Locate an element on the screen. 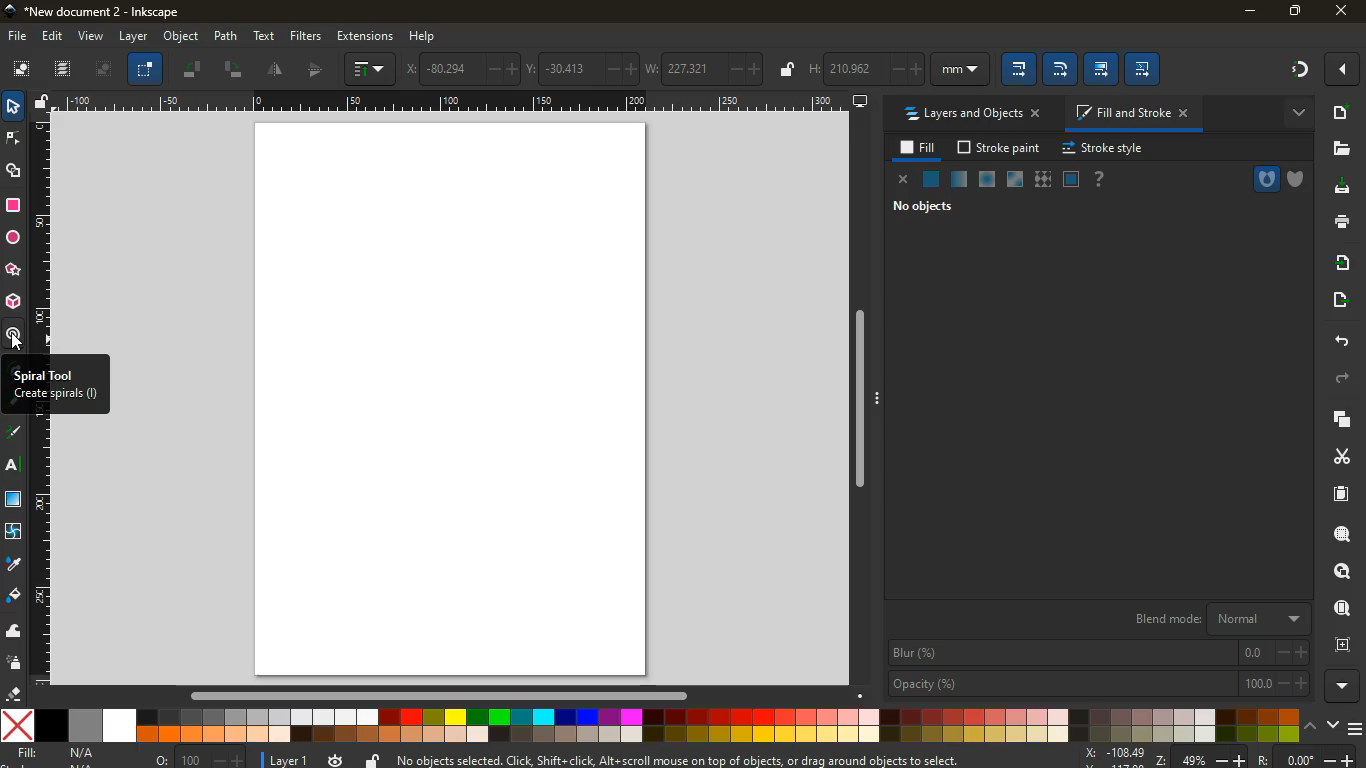 The width and height of the screenshot is (1366, 768). fill is located at coordinates (919, 148).